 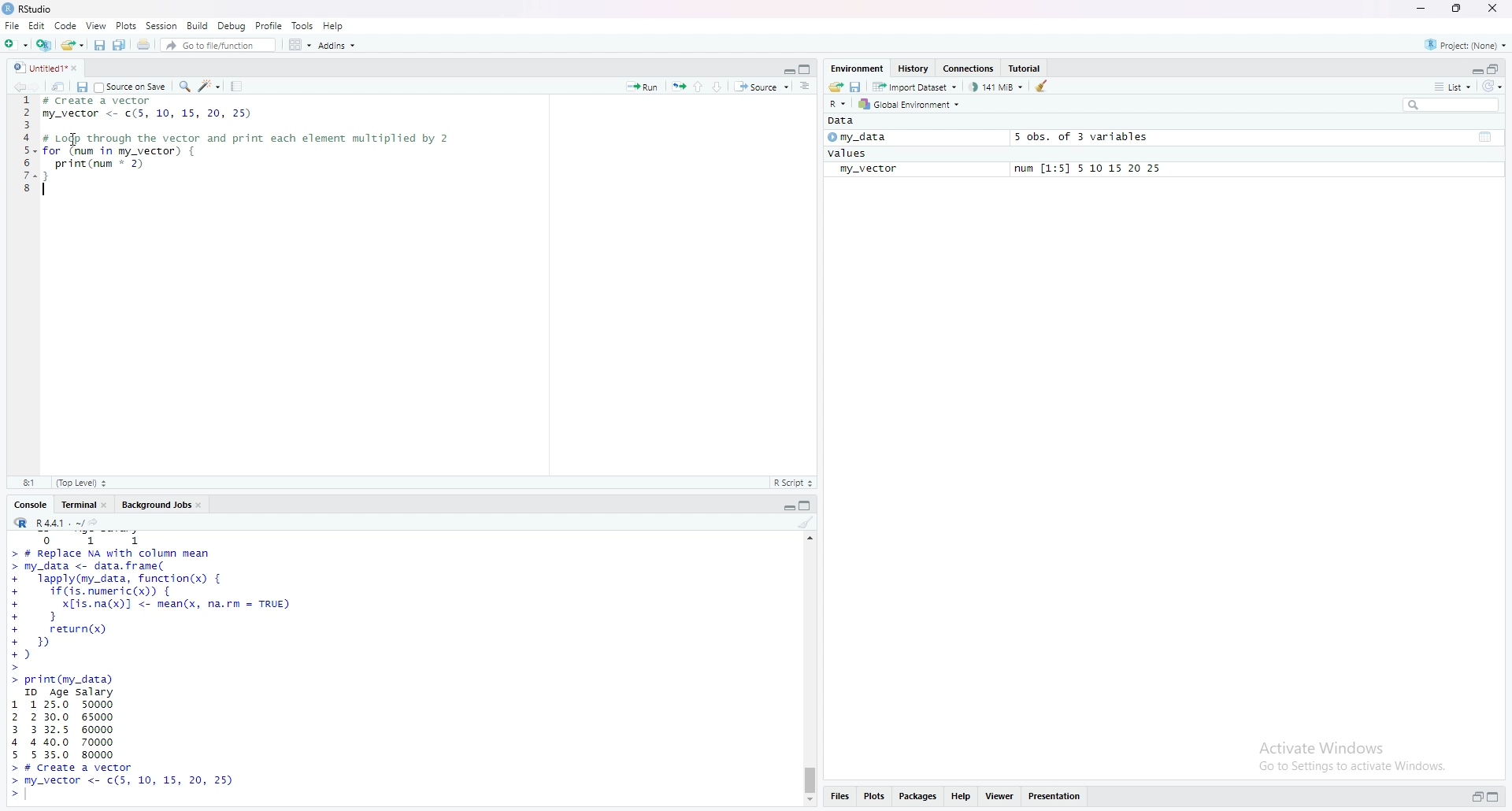 What do you see at coordinates (25, 148) in the screenshot?
I see `line numbers` at bounding box center [25, 148].